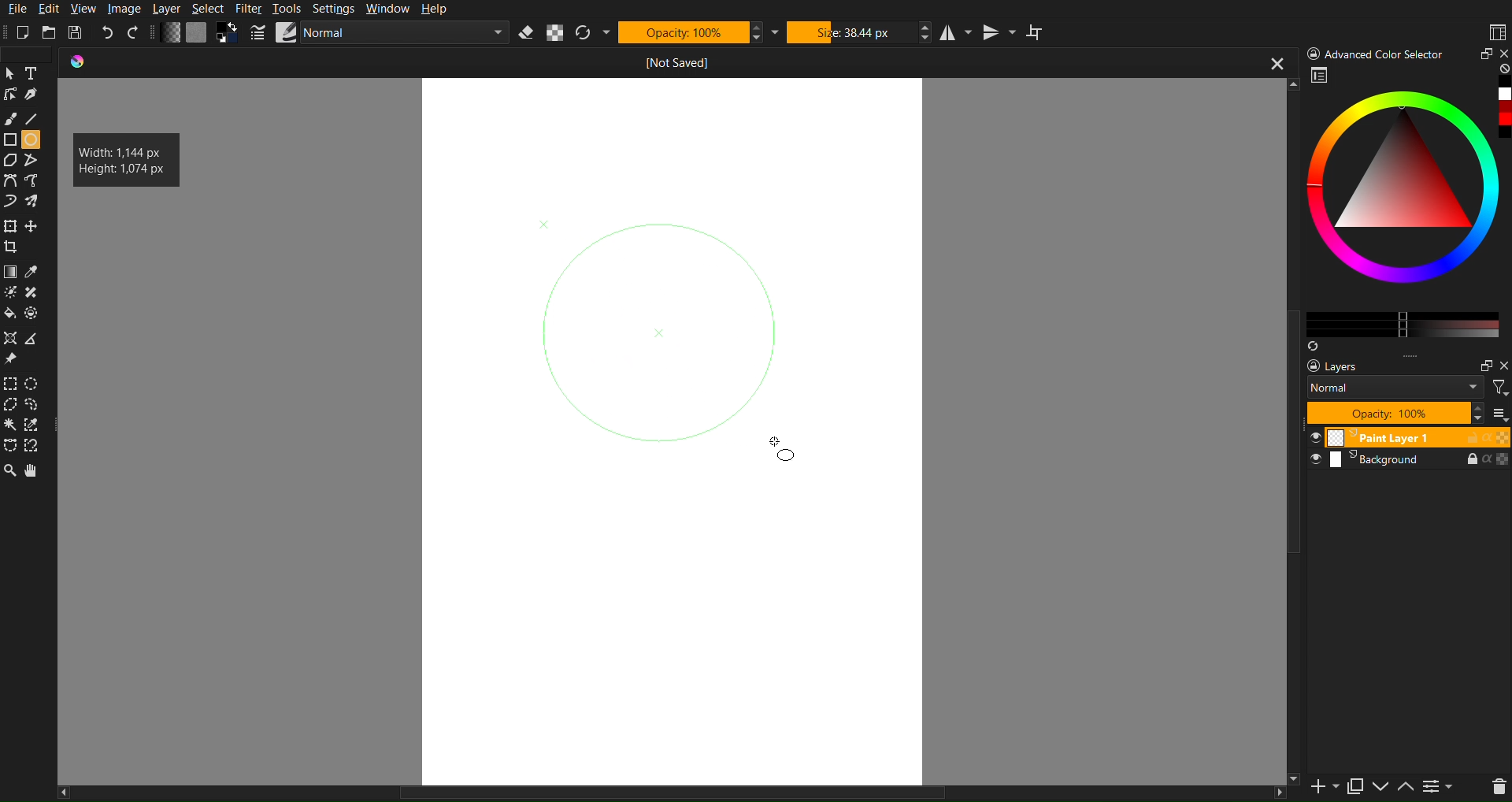 This screenshot has height=802, width=1512. I want to click on Vertical Mirror, so click(996, 32).